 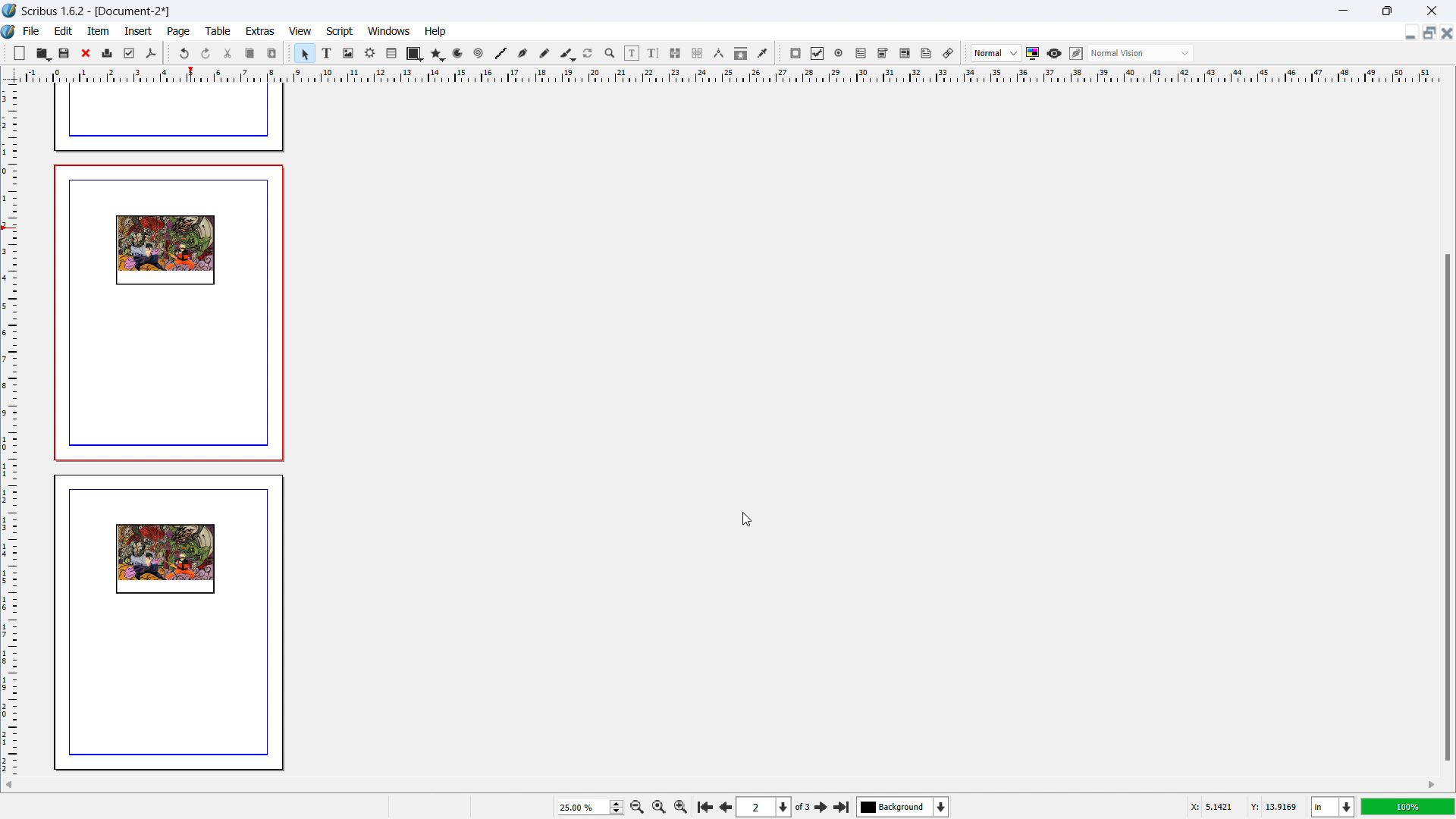 What do you see at coordinates (392, 54) in the screenshot?
I see `table` at bounding box center [392, 54].